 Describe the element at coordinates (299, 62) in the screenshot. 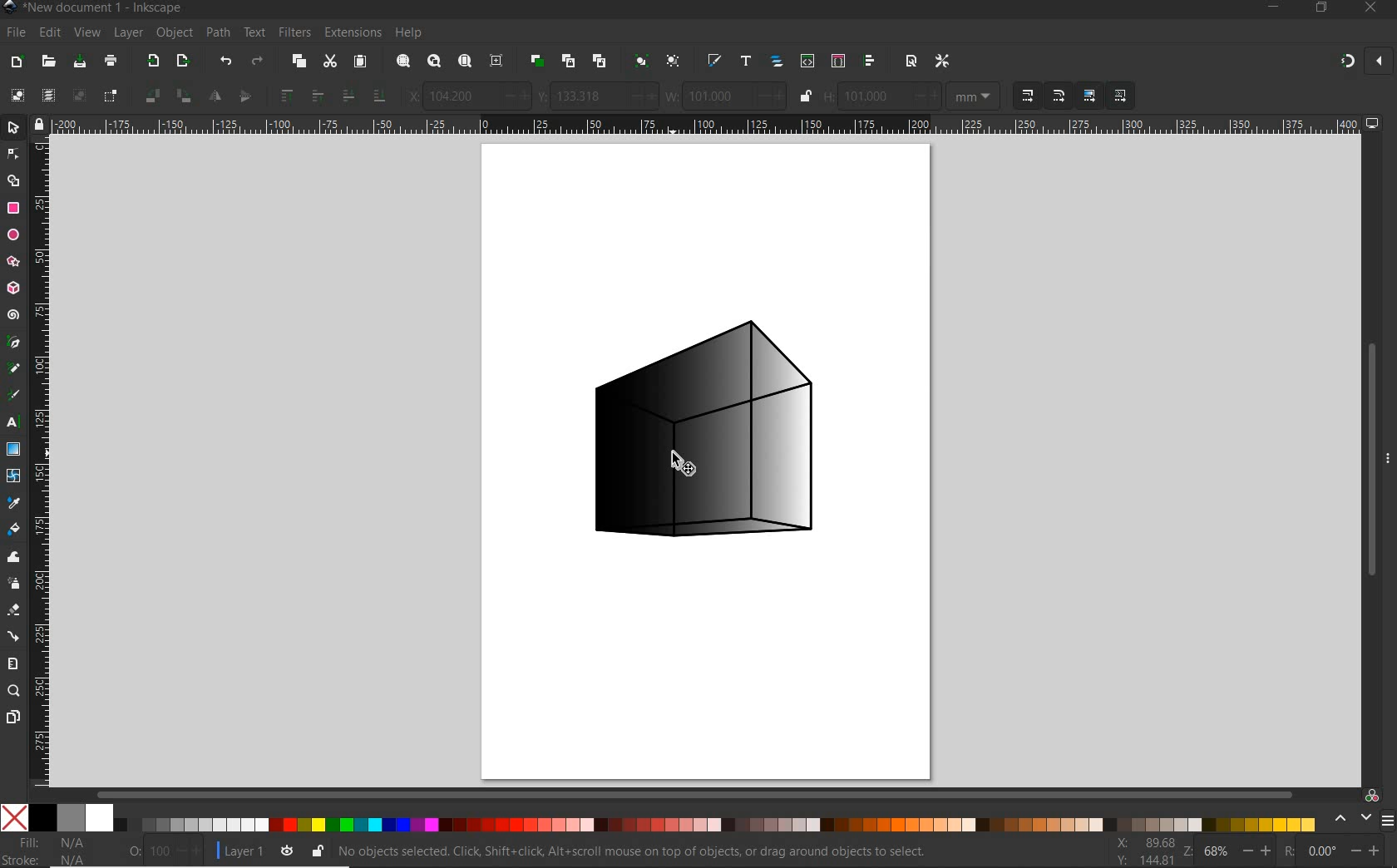

I see `COPY` at that location.